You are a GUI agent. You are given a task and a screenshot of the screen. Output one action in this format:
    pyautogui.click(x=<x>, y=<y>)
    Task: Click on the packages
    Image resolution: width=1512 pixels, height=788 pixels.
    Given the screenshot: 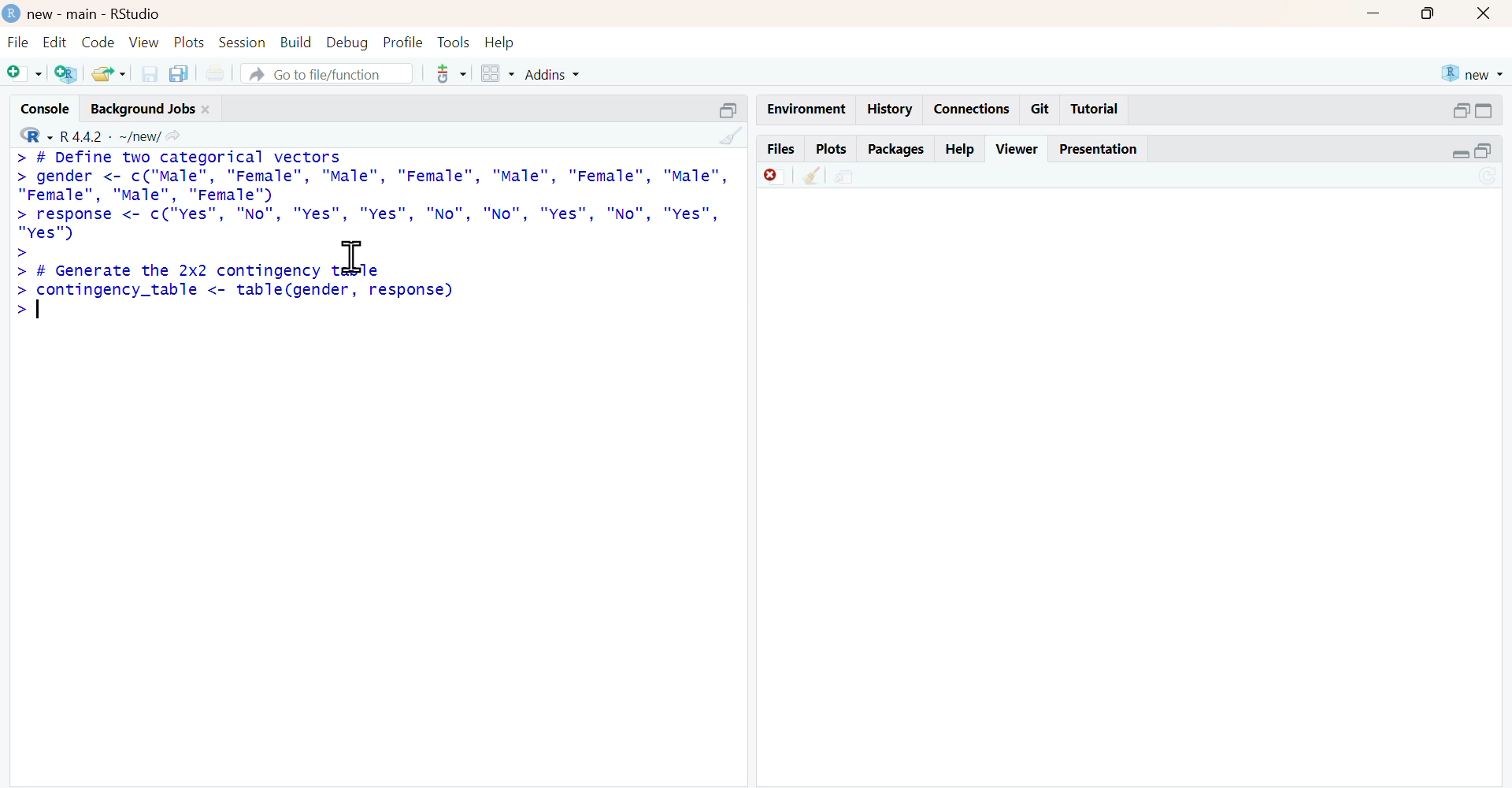 What is the action you would take?
    pyautogui.click(x=898, y=150)
    